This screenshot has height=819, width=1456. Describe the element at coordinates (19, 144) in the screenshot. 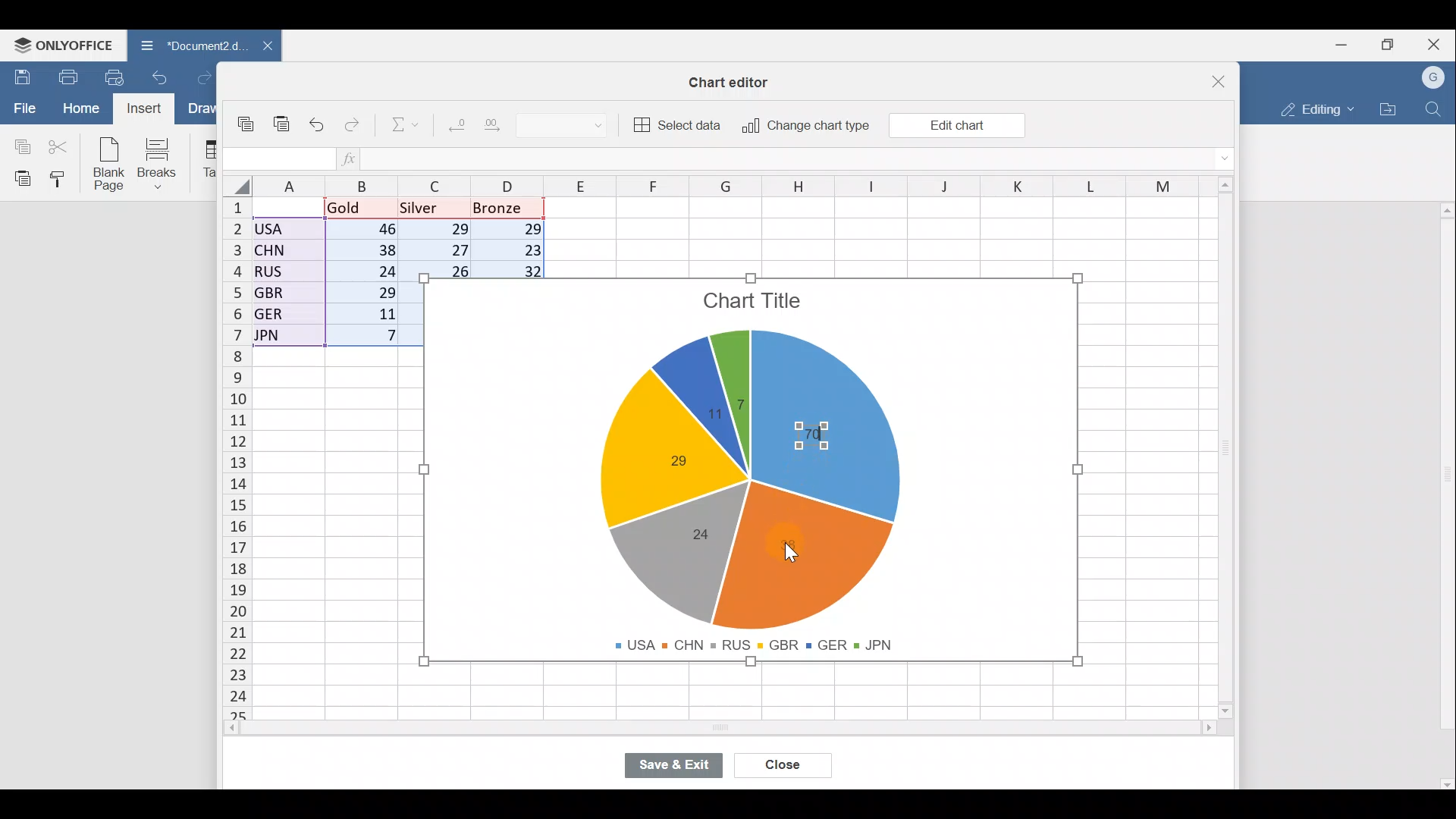

I see `Copy` at that location.